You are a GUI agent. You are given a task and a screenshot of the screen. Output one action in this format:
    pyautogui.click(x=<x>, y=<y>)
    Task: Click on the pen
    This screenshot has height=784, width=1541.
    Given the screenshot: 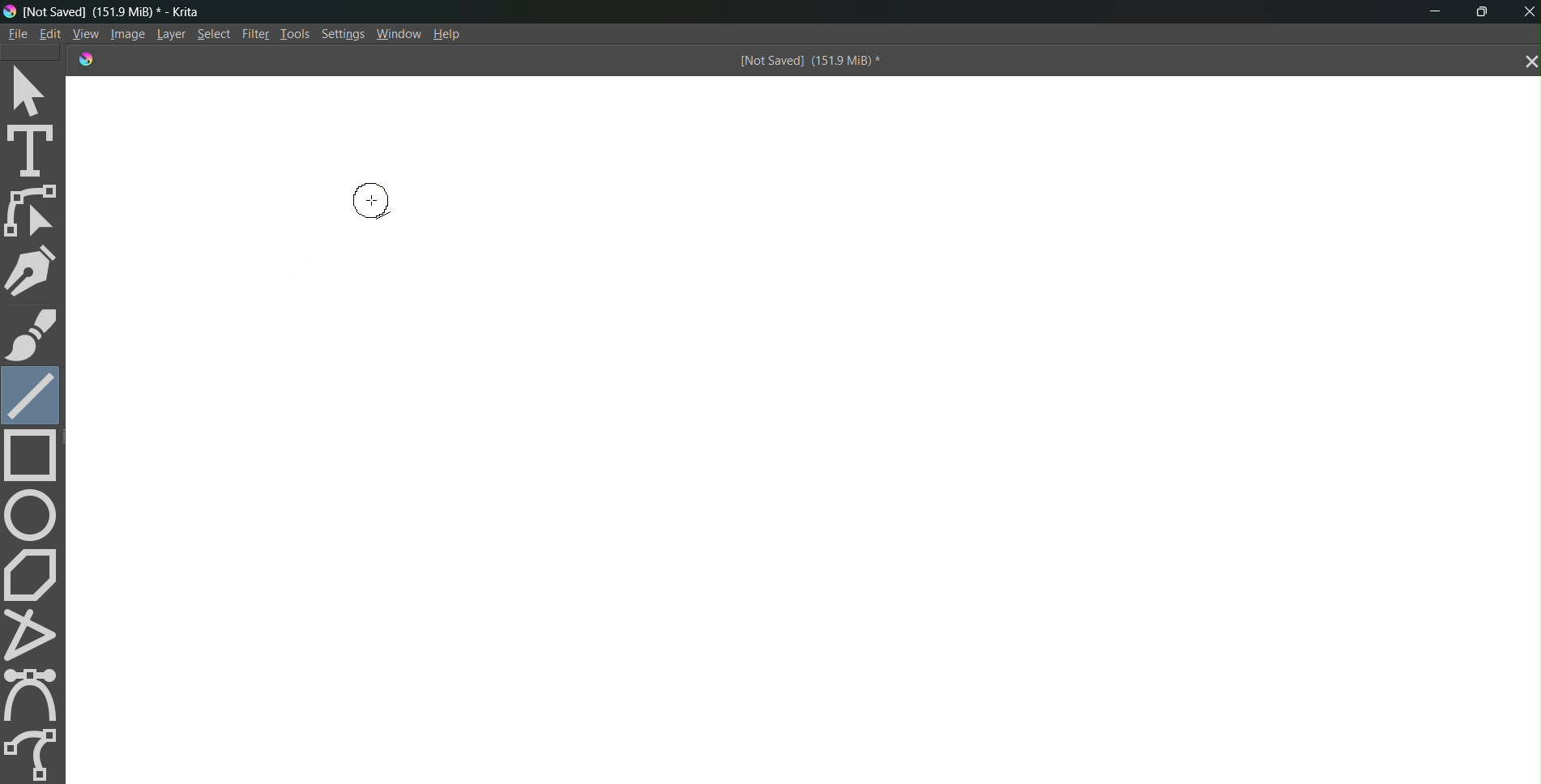 What is the action you would take?
    pyautogui.click(x=35, y=271)
    